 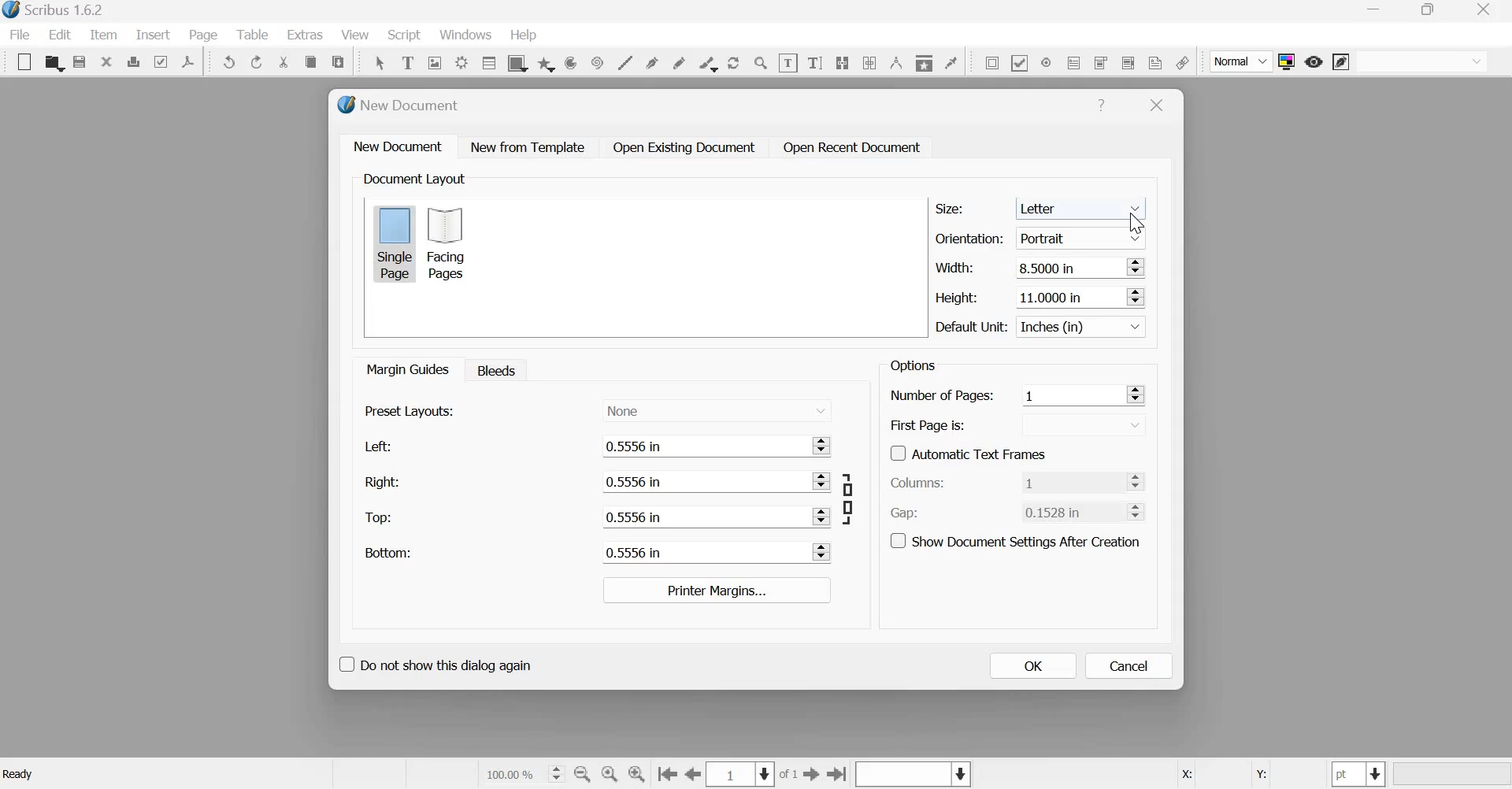 What do you see at coordinates (822, 516) in the screenshot?
I see `Increase and Decrease` at bounding box center [822, 516].